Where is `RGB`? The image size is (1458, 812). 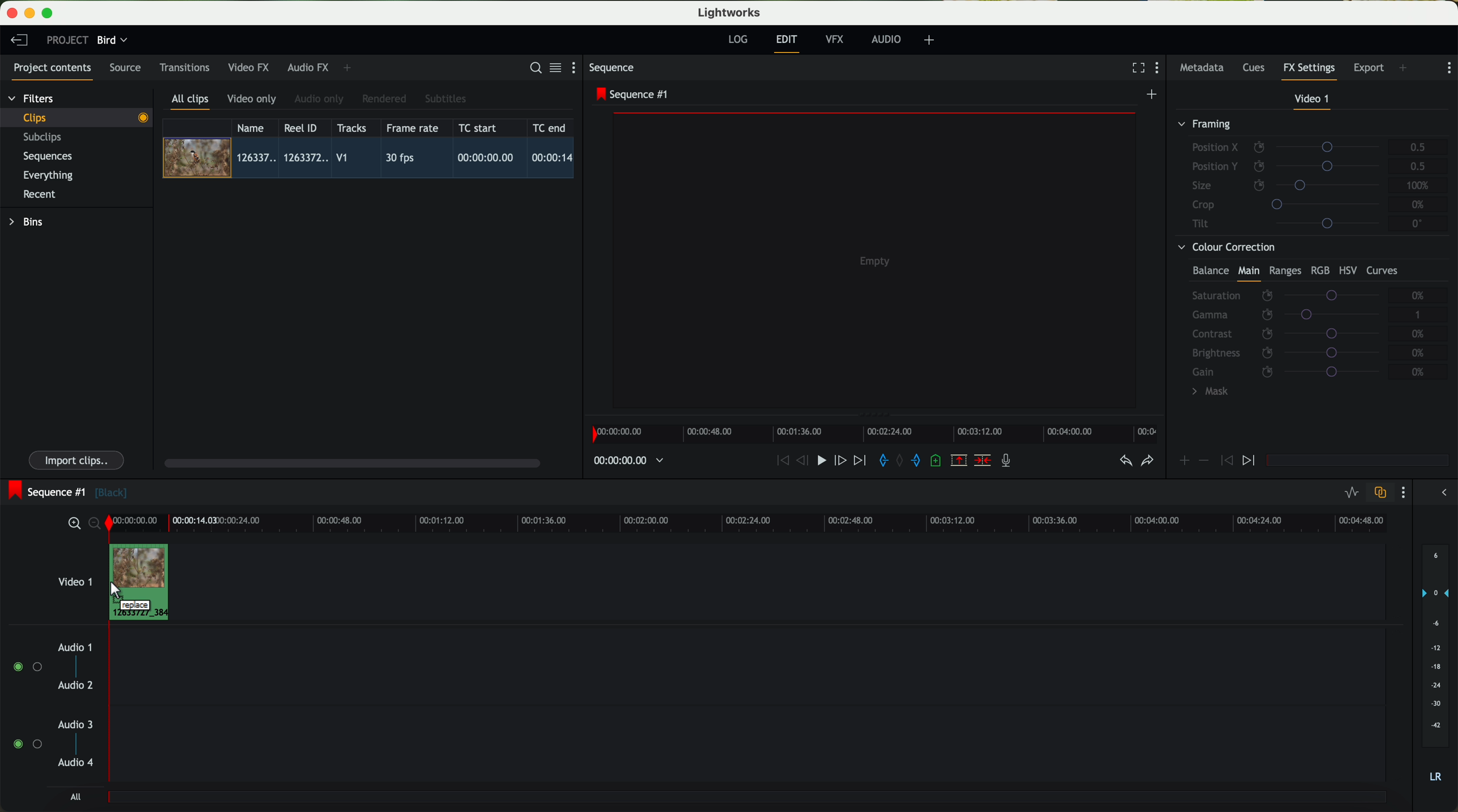
RGB is located at coordinates (1319, 269).